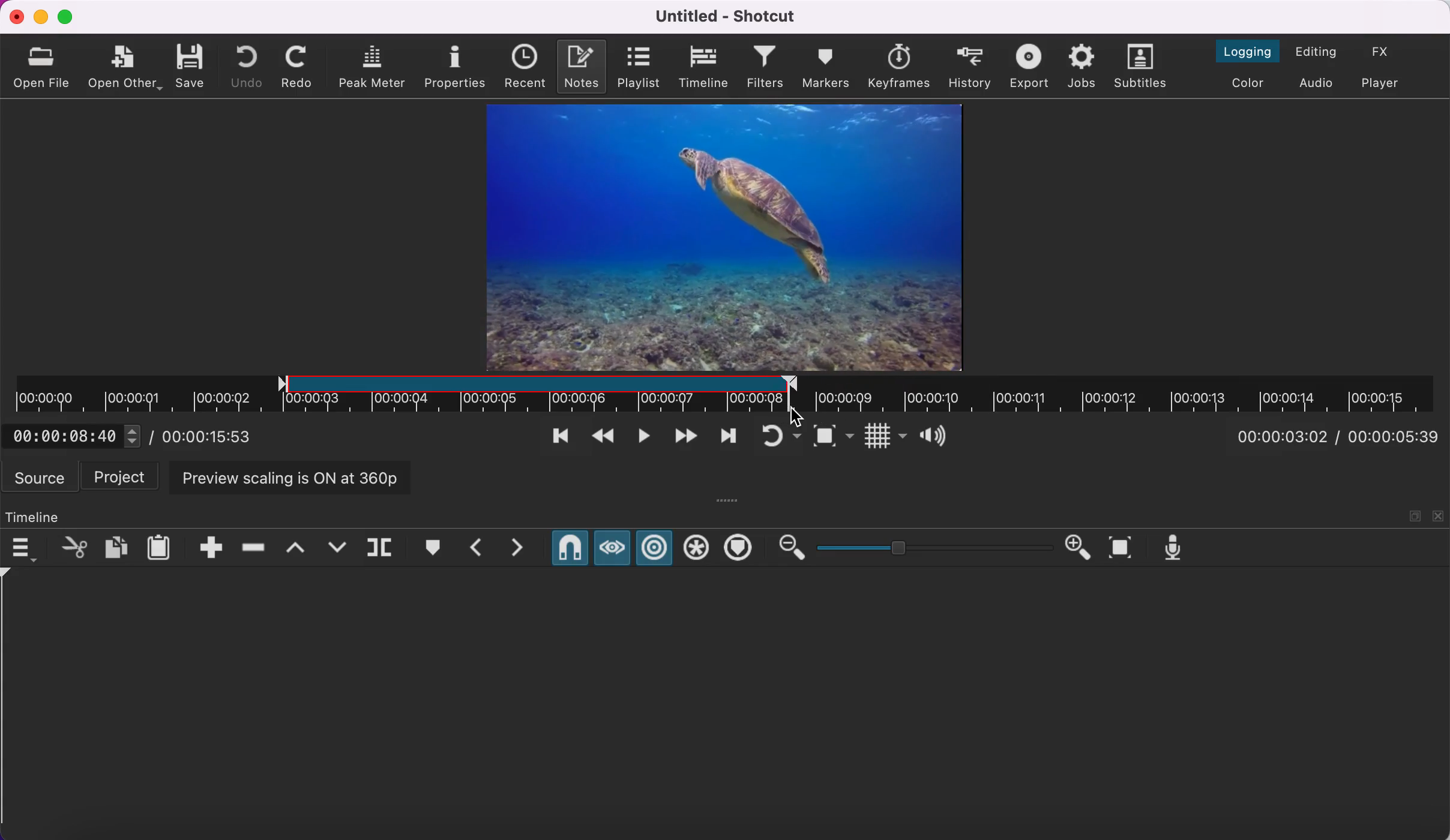 This screenshot has width=1450, height=840. What do you see at coordinates (612, 547) in the screenshot?
I see `scrub while dragging` at bounding box center [612, 547].